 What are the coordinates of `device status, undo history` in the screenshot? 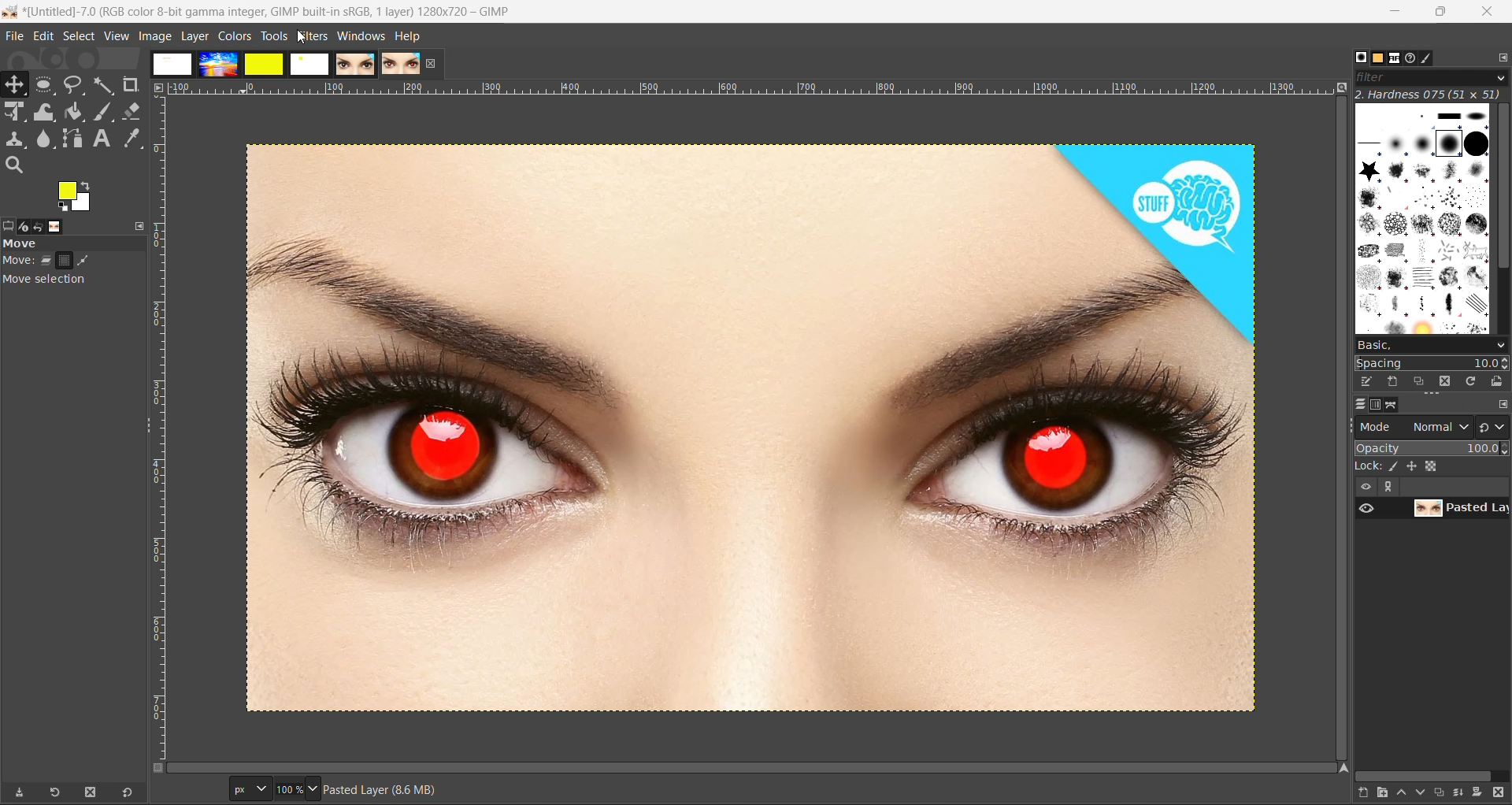 It's located at (33, 227).